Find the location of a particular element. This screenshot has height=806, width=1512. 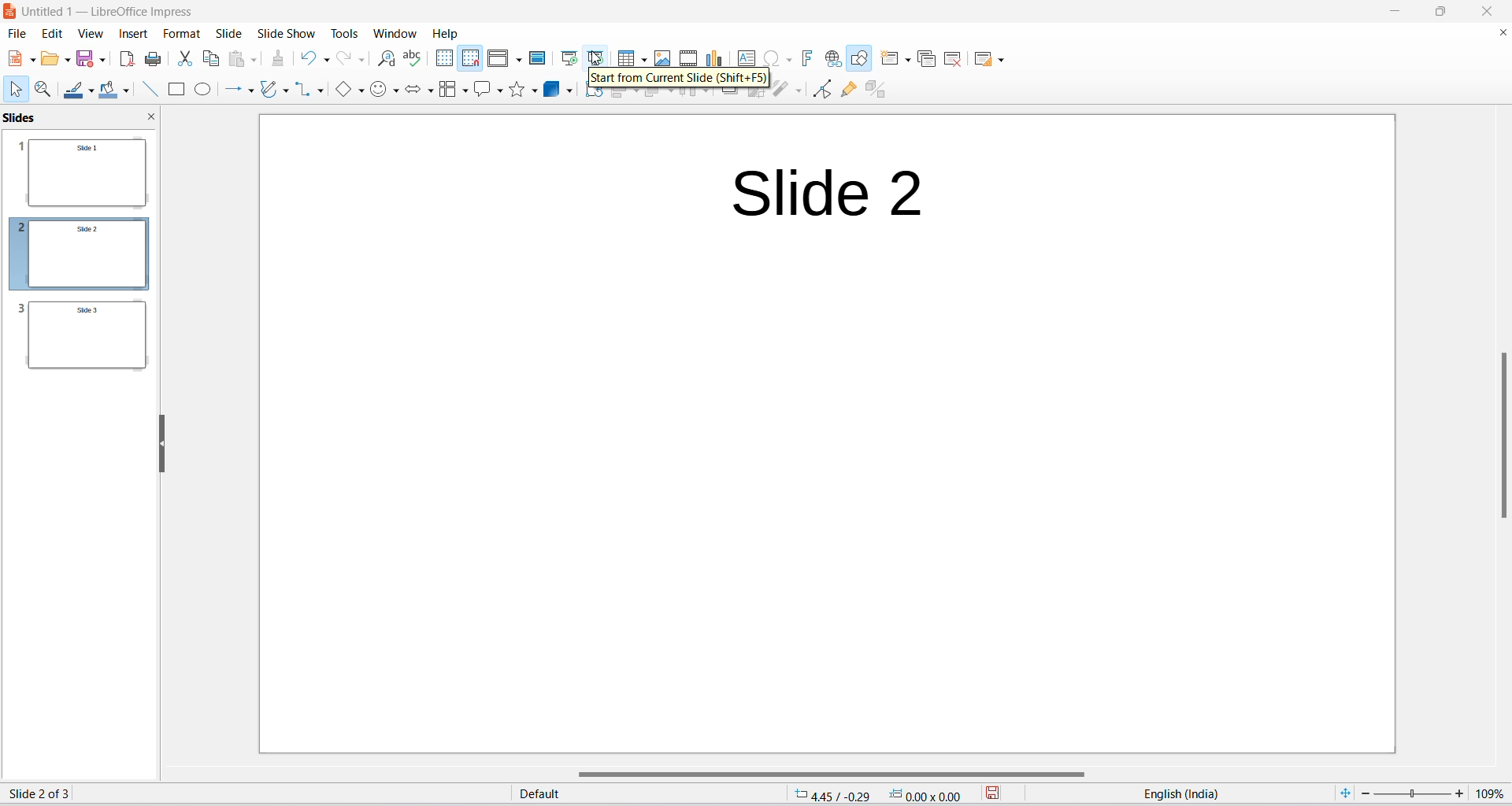

open file options is located at coordinates (67, 61).